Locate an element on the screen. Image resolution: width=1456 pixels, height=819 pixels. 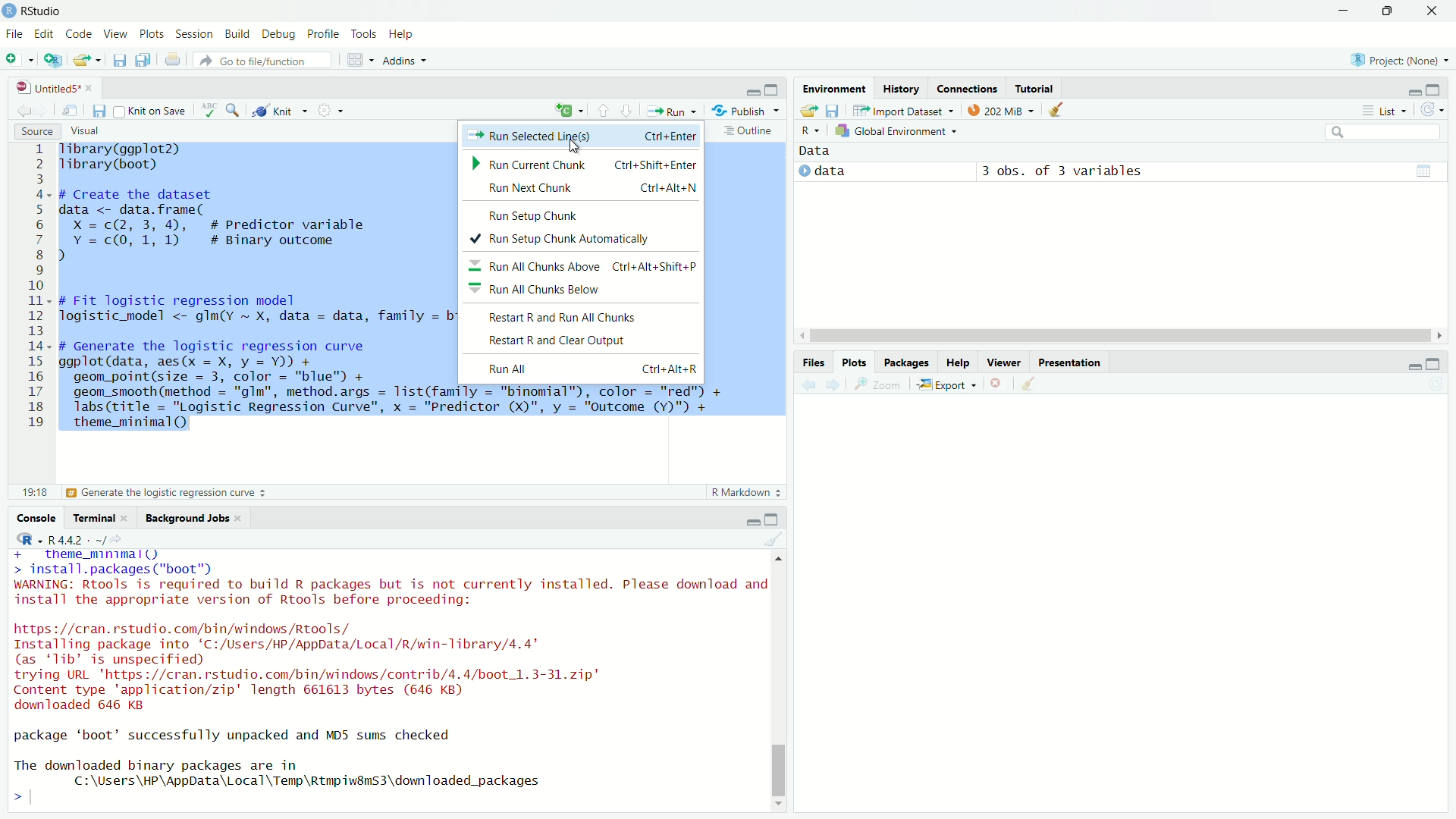
Run All Chunks Below is located at coordinates (581, 288).